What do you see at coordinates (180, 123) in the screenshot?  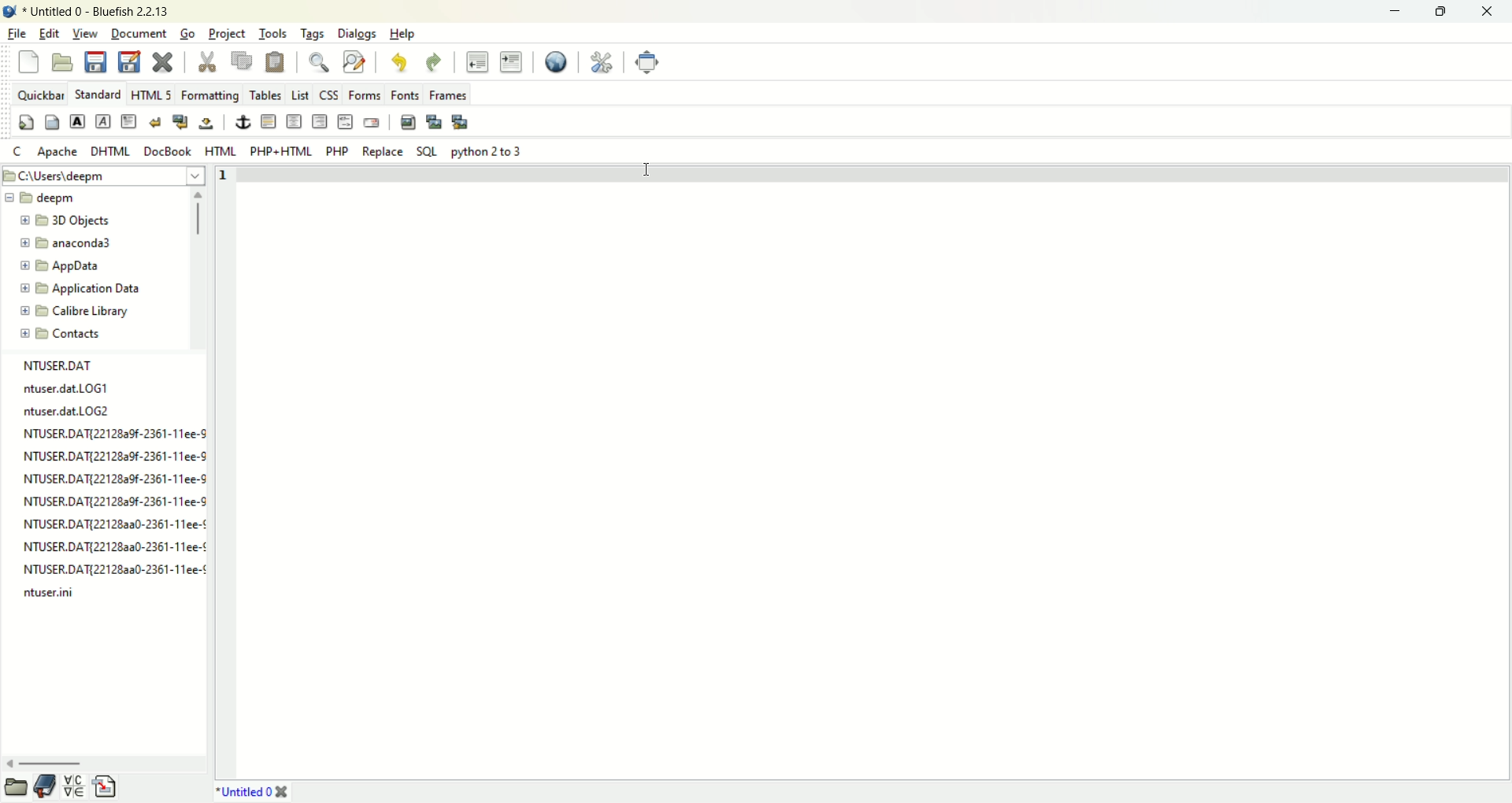 I see `break and clear` at bounding box center [180, 123].